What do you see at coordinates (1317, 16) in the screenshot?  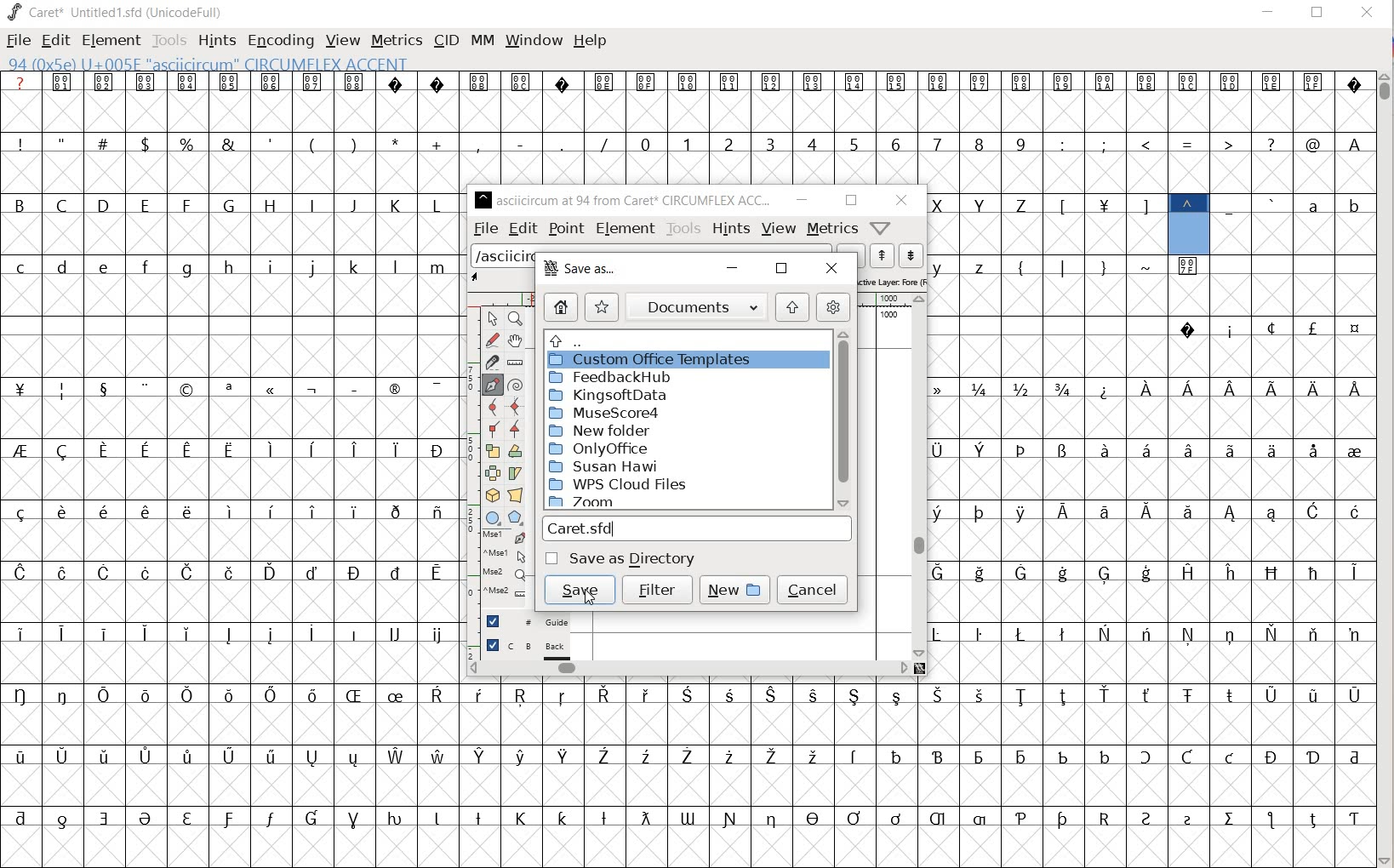 I see `RESTORE DOWN` at bounding box center [1317, 16].